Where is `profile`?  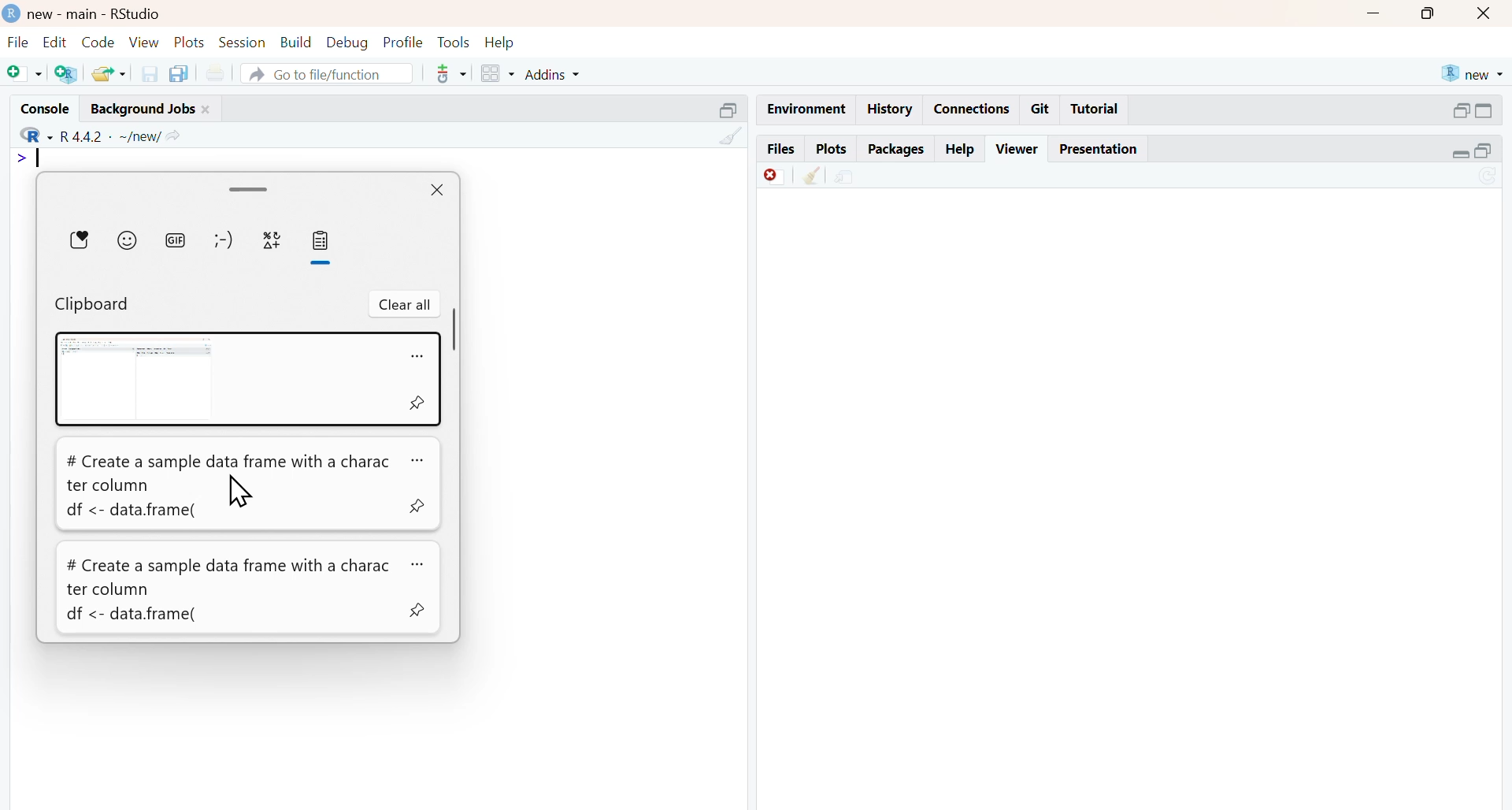
profile is located at coordinates (404, 43).